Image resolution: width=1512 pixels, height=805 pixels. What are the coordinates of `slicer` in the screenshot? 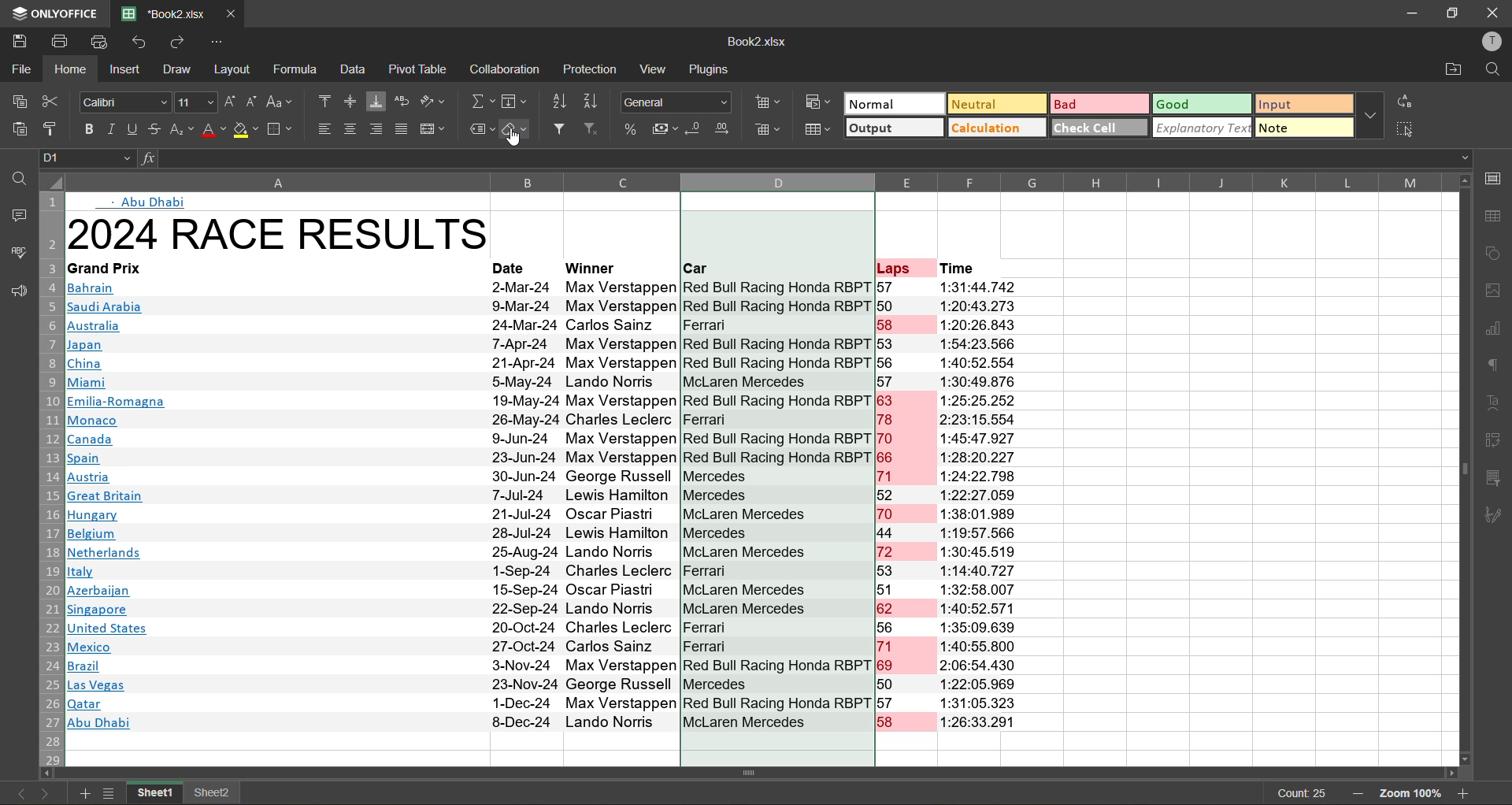 It's located at (1498, 481).